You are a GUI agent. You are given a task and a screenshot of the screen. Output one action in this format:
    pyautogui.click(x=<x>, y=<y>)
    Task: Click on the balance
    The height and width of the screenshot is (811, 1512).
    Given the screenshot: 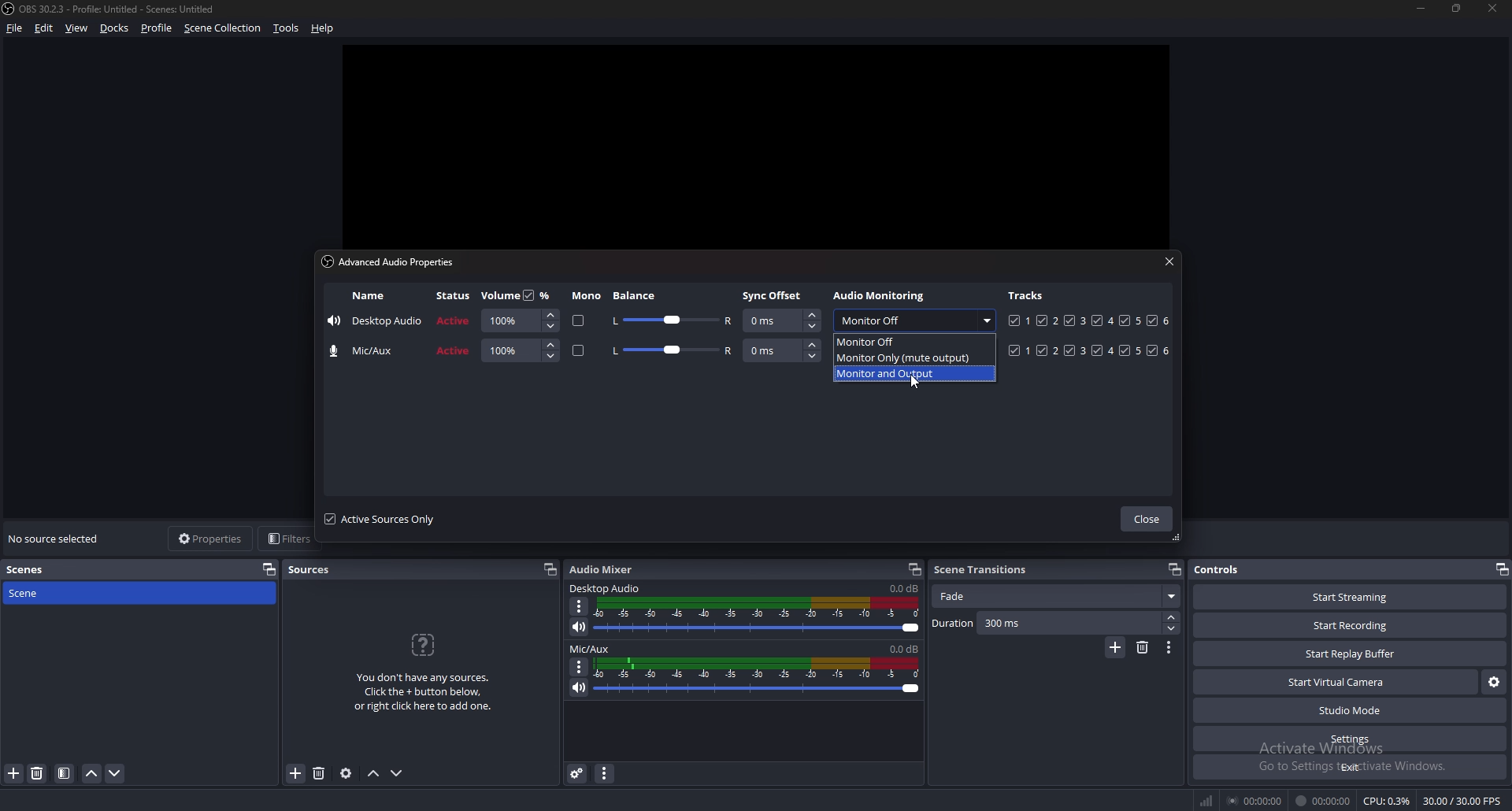 What is the action you would take?
    pyautogui.click(x=639, y=295)
    